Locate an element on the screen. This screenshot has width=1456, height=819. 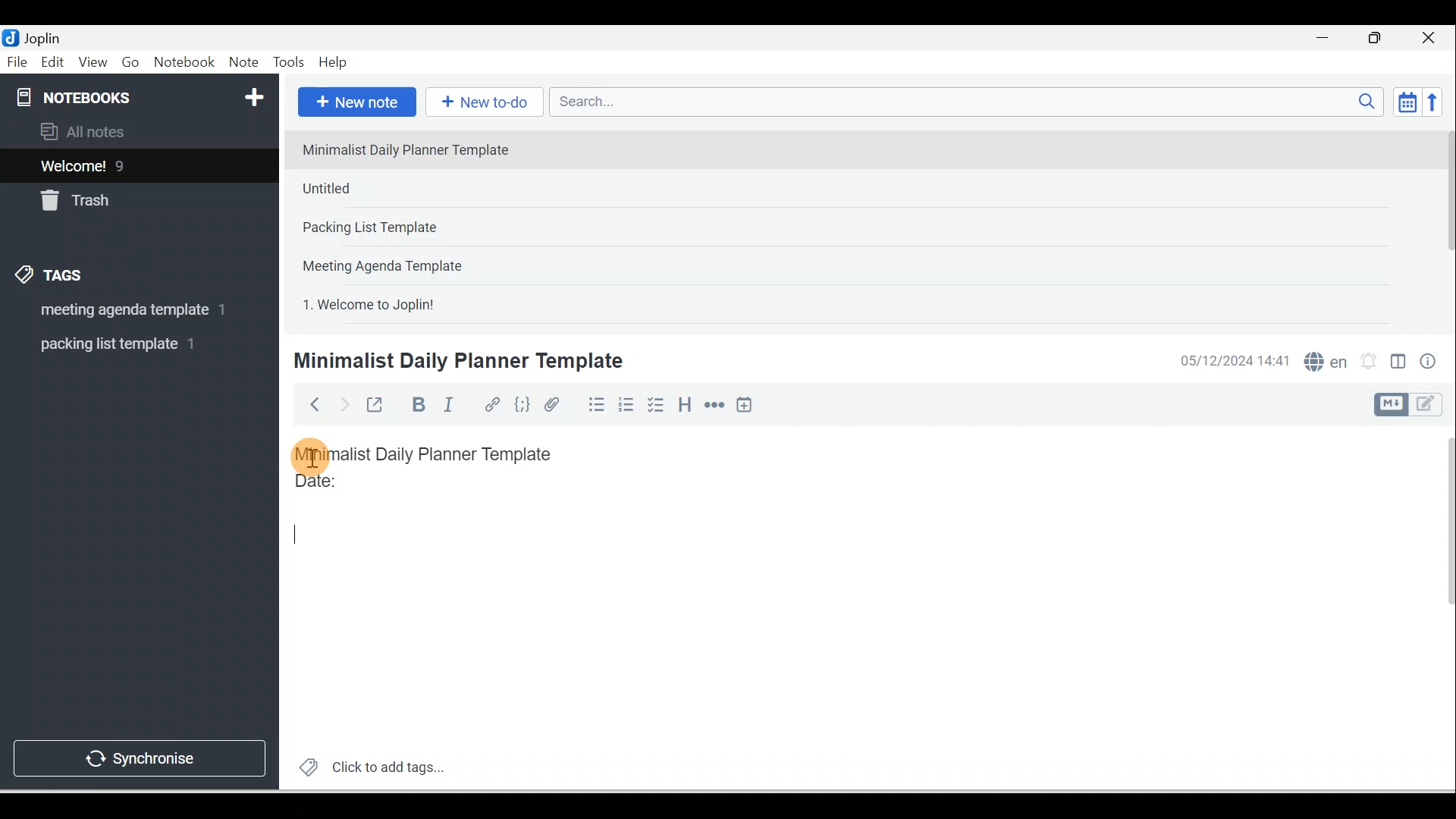
Note 5 is located at coordinates (424, 303).